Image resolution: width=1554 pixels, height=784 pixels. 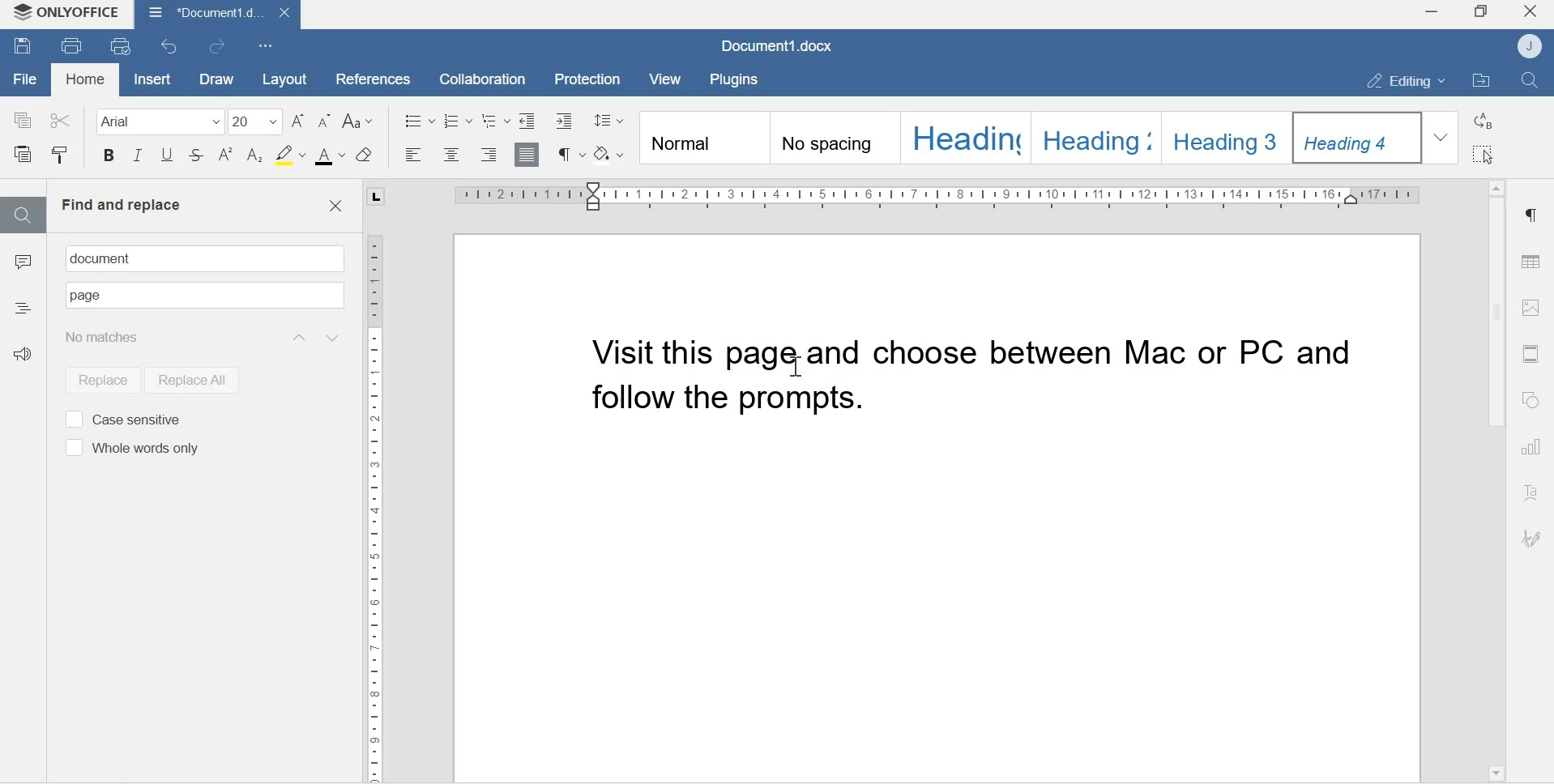 I want to click on Align center, so click(x=450, y=156).